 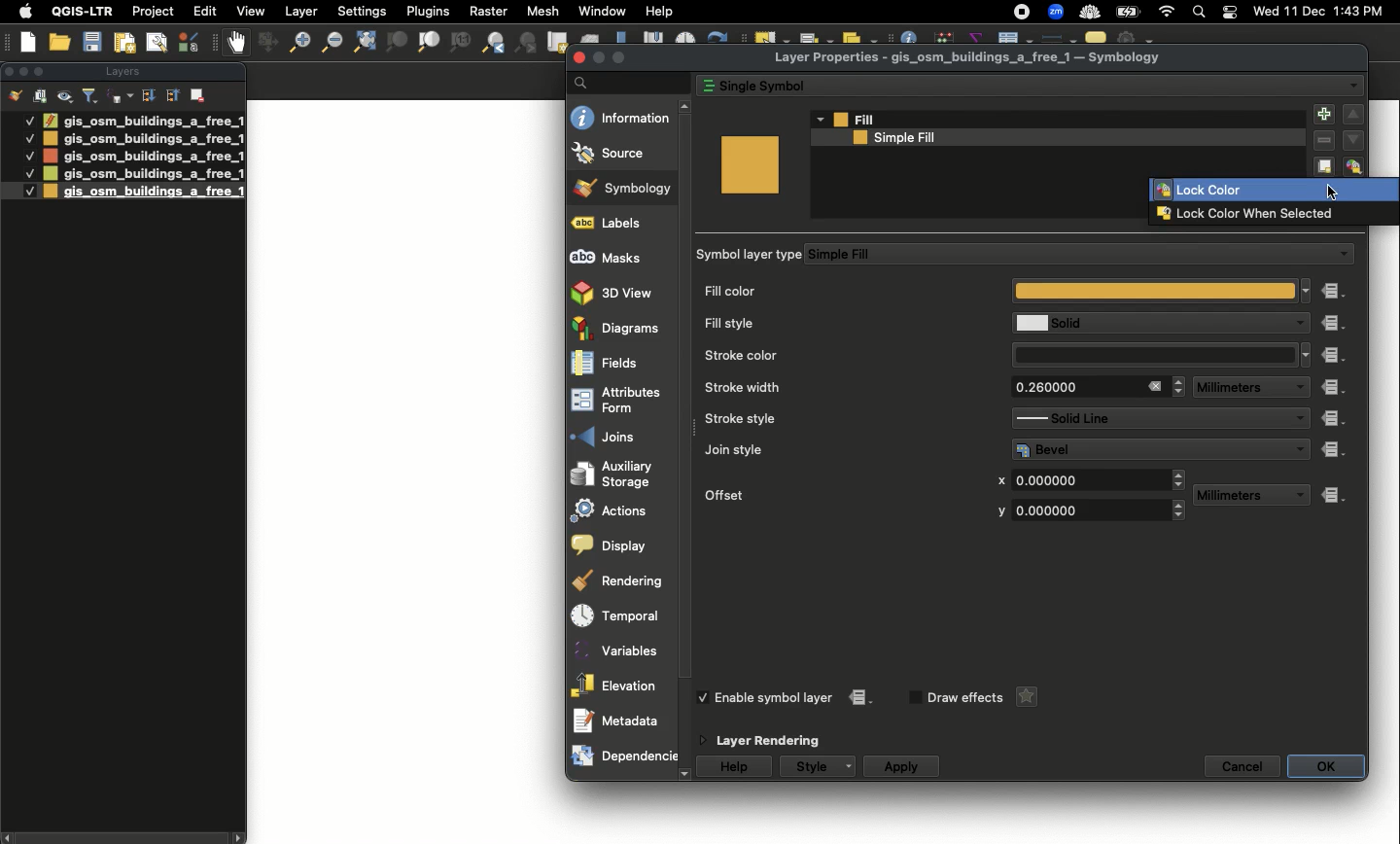 What do you see at coordinates (1056, 12) in the screenshot?
I see `` at bounding box center [1056, 12].